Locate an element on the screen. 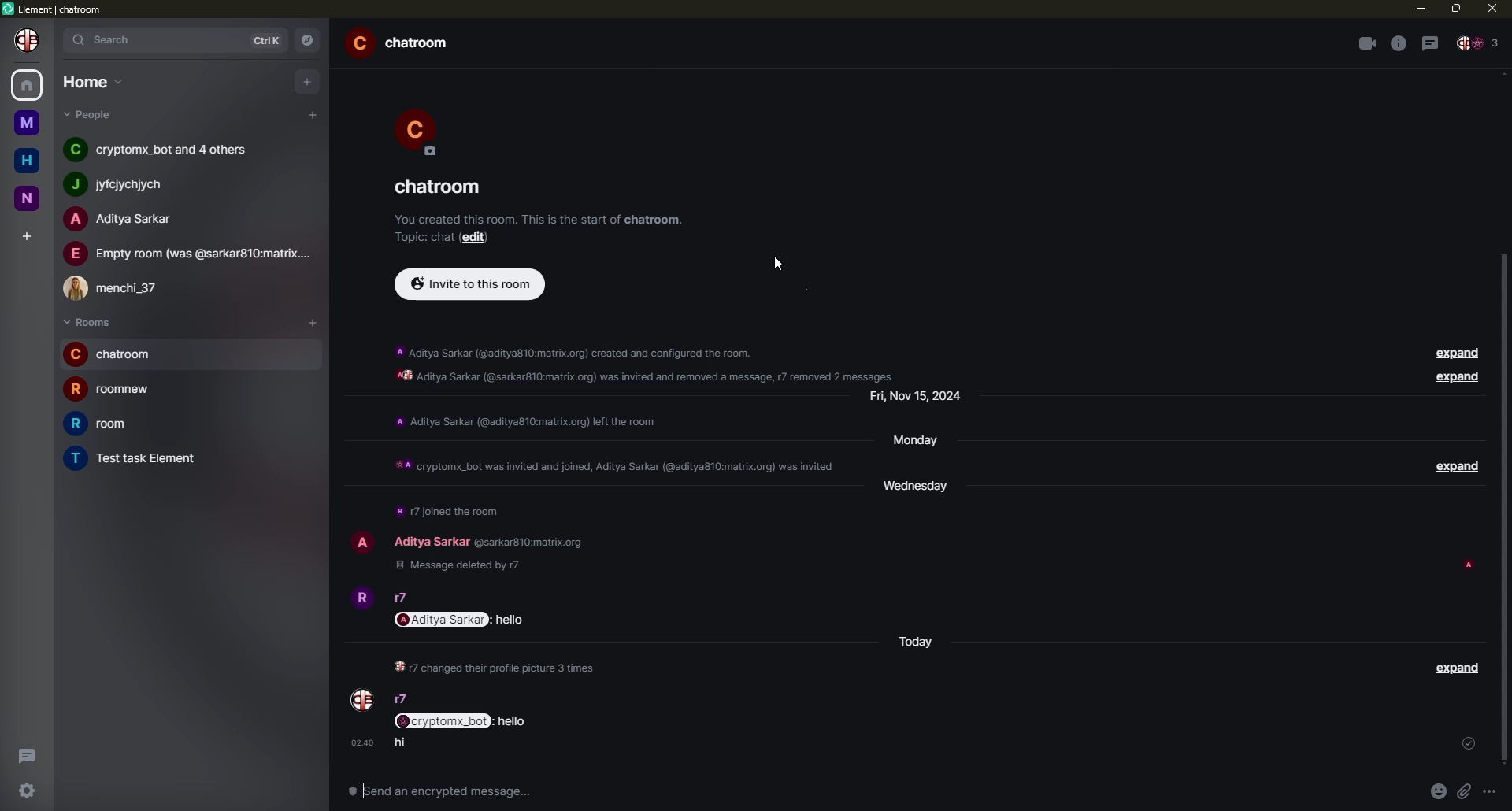 The image size is (1512, 811). m is located at coordinates (28, 122).